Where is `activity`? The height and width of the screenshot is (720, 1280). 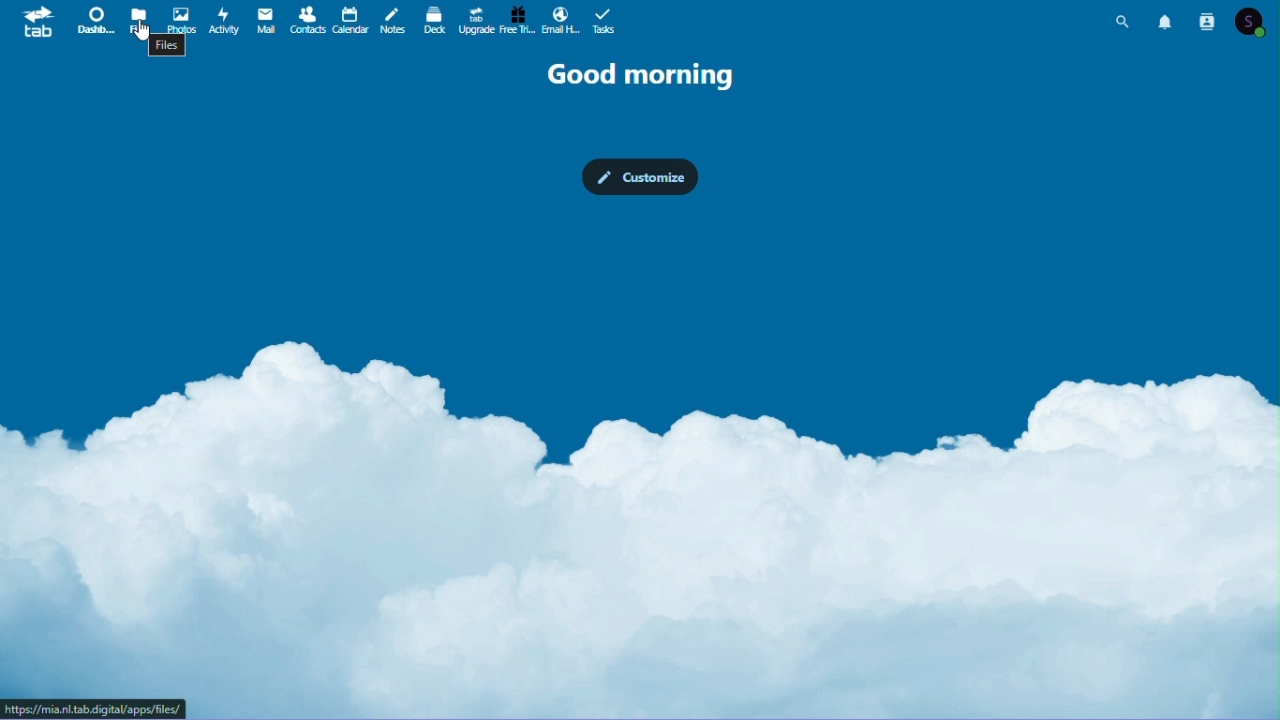 activity is located at coordinates (221, 19).